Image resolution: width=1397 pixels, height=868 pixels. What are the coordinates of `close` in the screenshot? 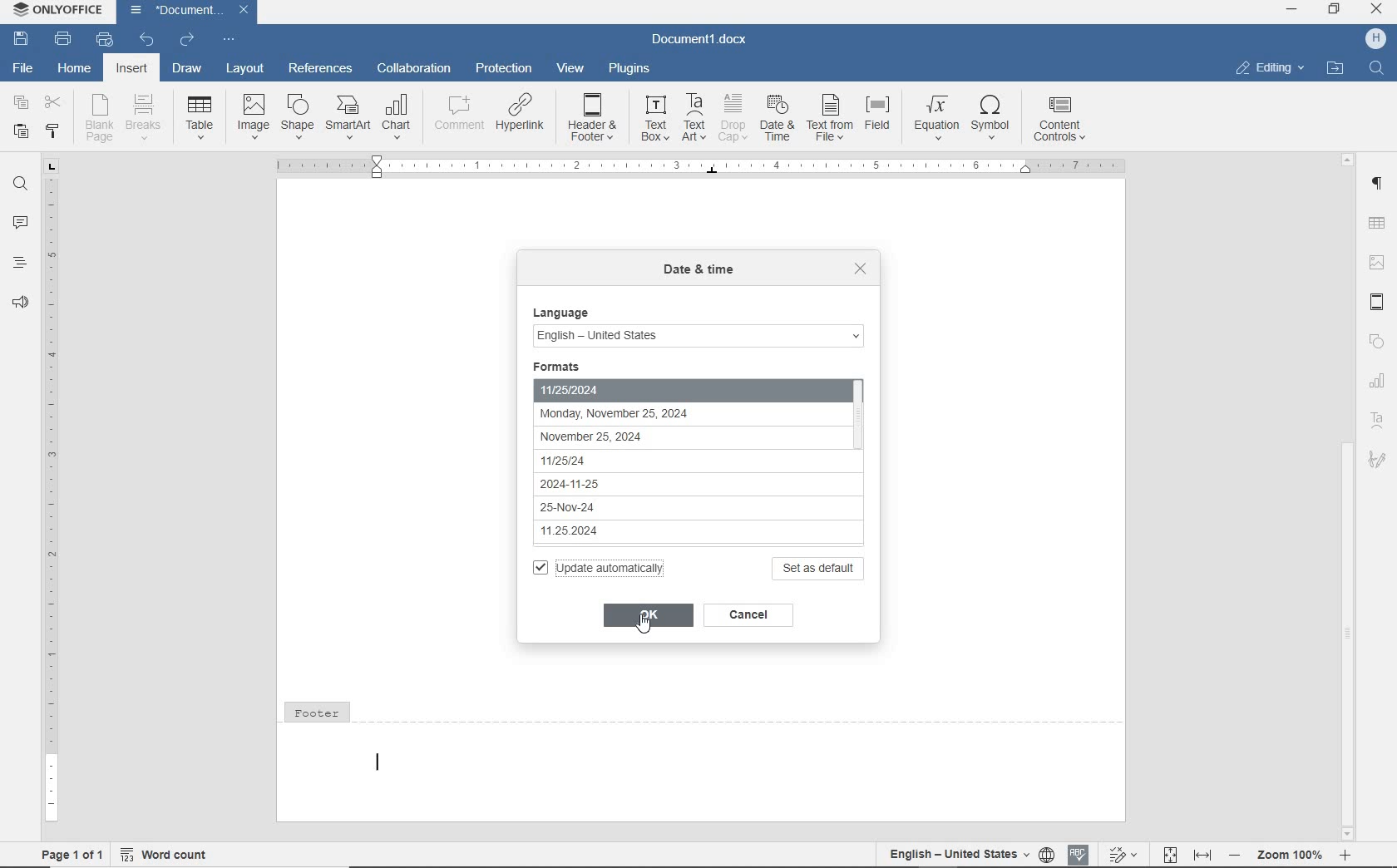 It's located at (861, 269).